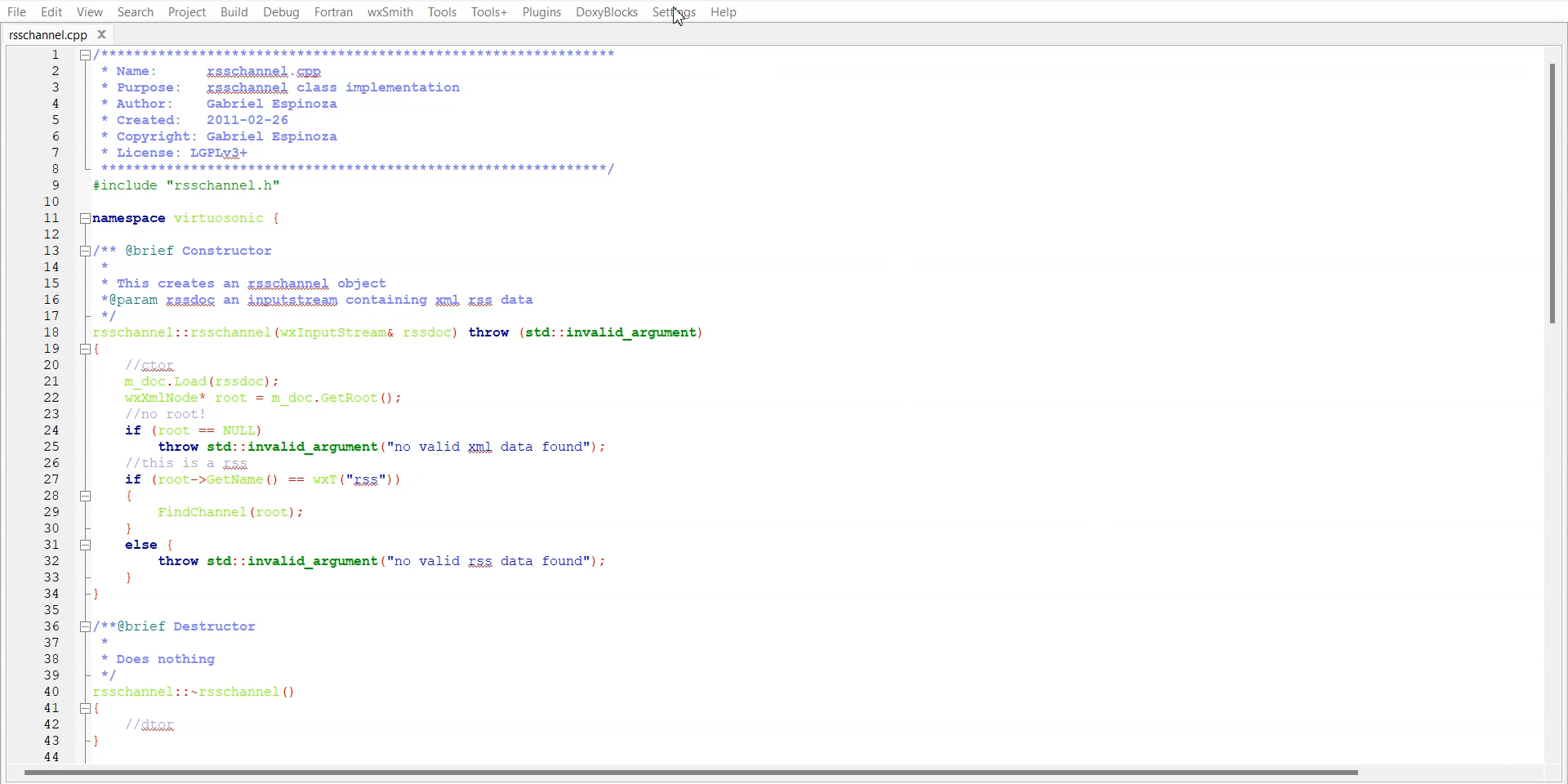 Image resolution: width=1568 pixels, height=784 pixels. What do you see at coordinates (51, 11) in the screenshot?
I see `Edit` at bounding box center [51, 11].